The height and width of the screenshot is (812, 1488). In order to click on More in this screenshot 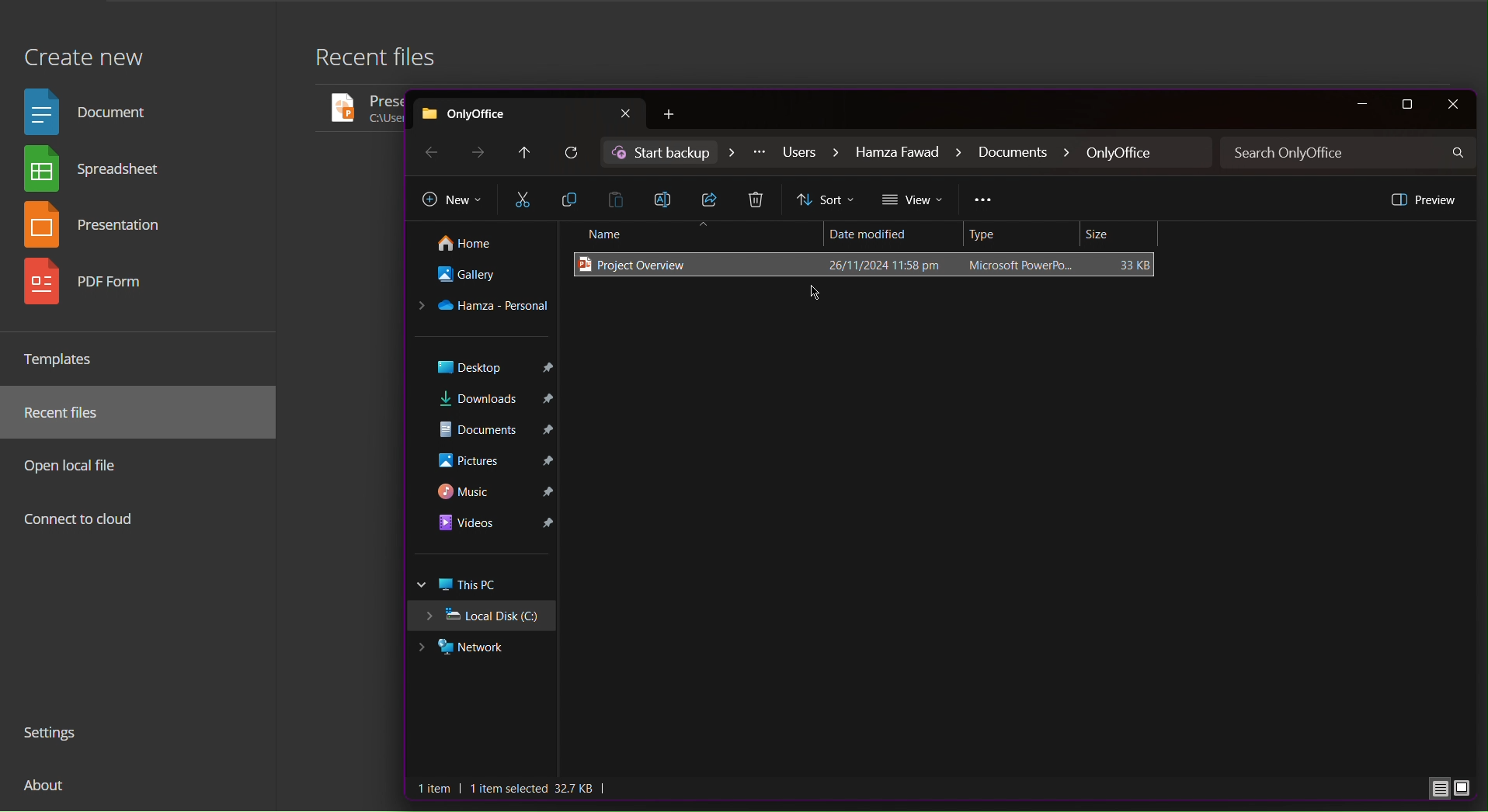, I will do `click(984, 202)`.